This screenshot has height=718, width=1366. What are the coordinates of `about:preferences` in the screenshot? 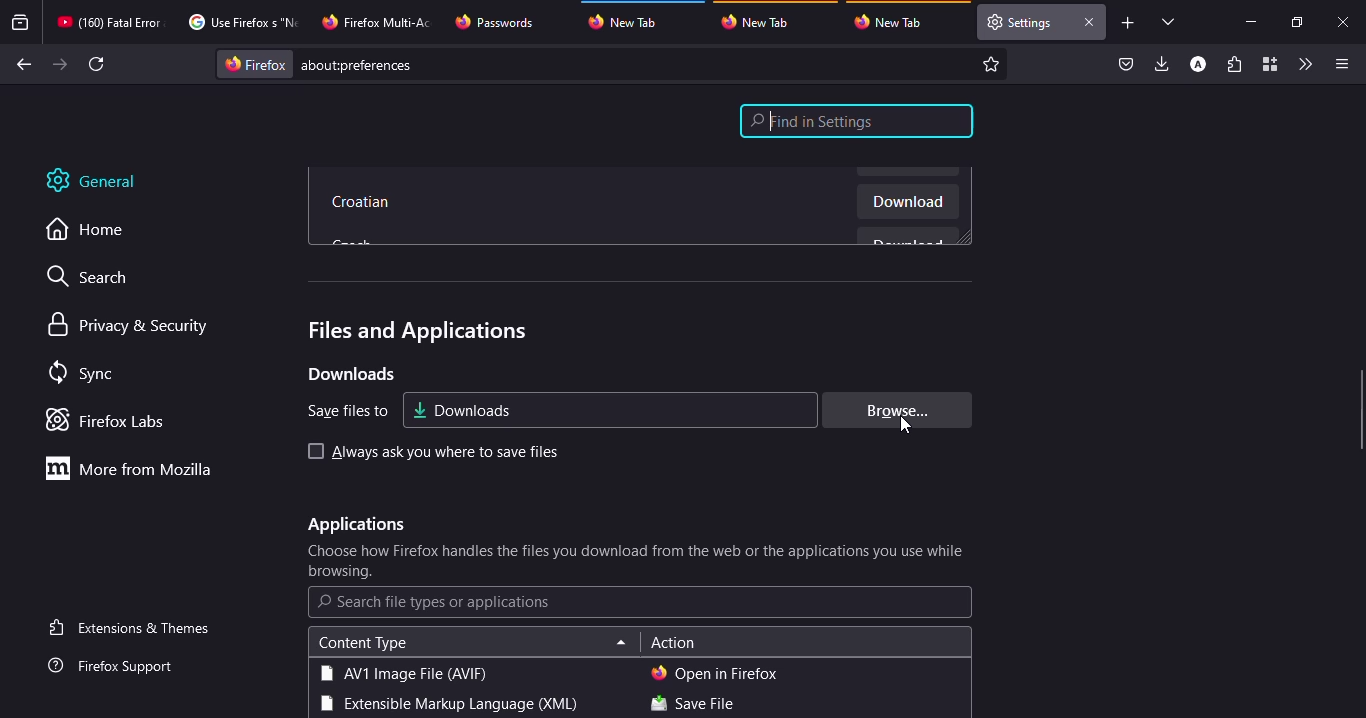 It's located at (614, 64).